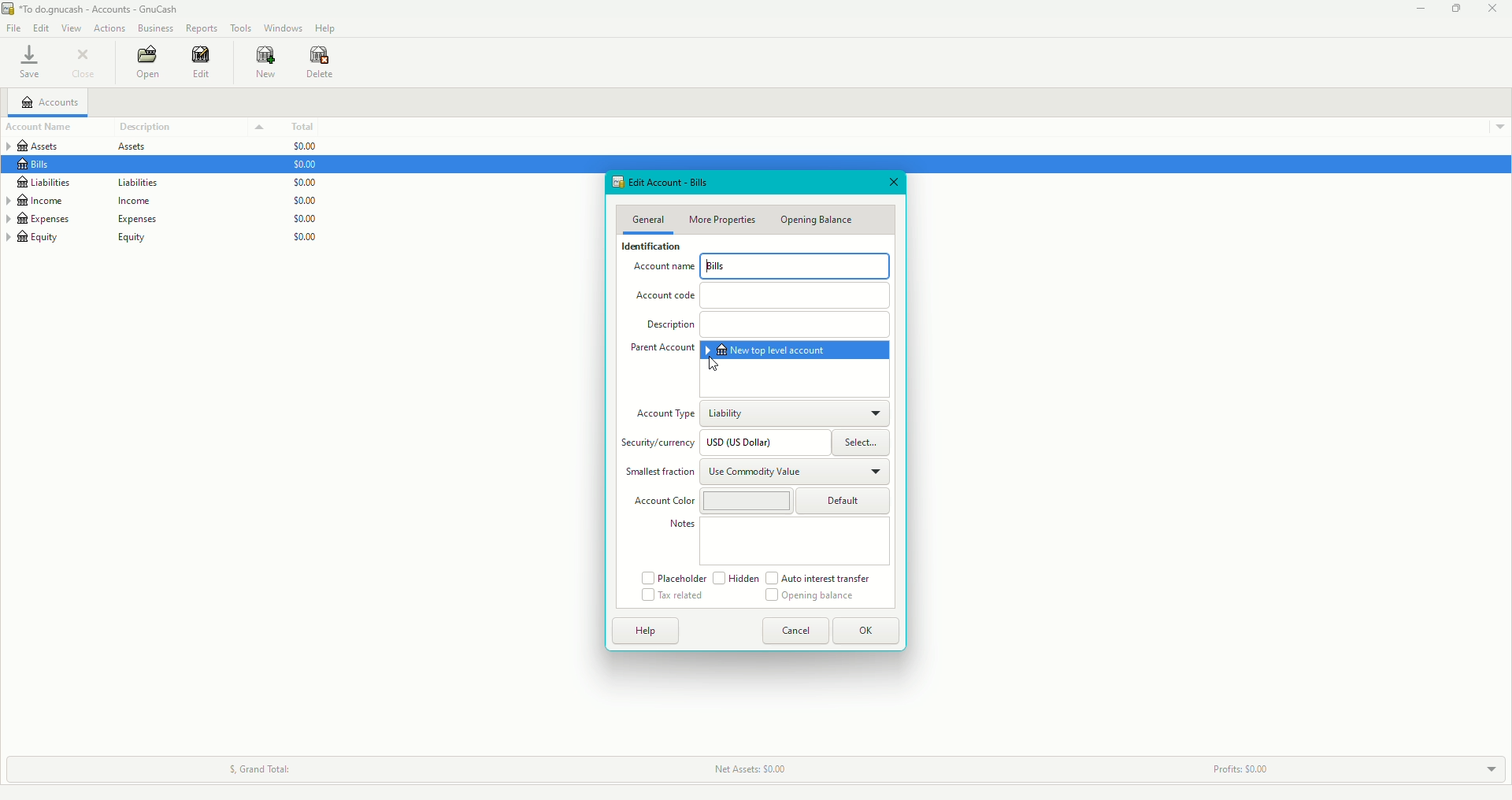 Image resolution: width=1512 pixels, height=800 pixels. What do you see at coordinates (892, 182) in the screenshot?
I see `Close` at bounding box center [892, 182].